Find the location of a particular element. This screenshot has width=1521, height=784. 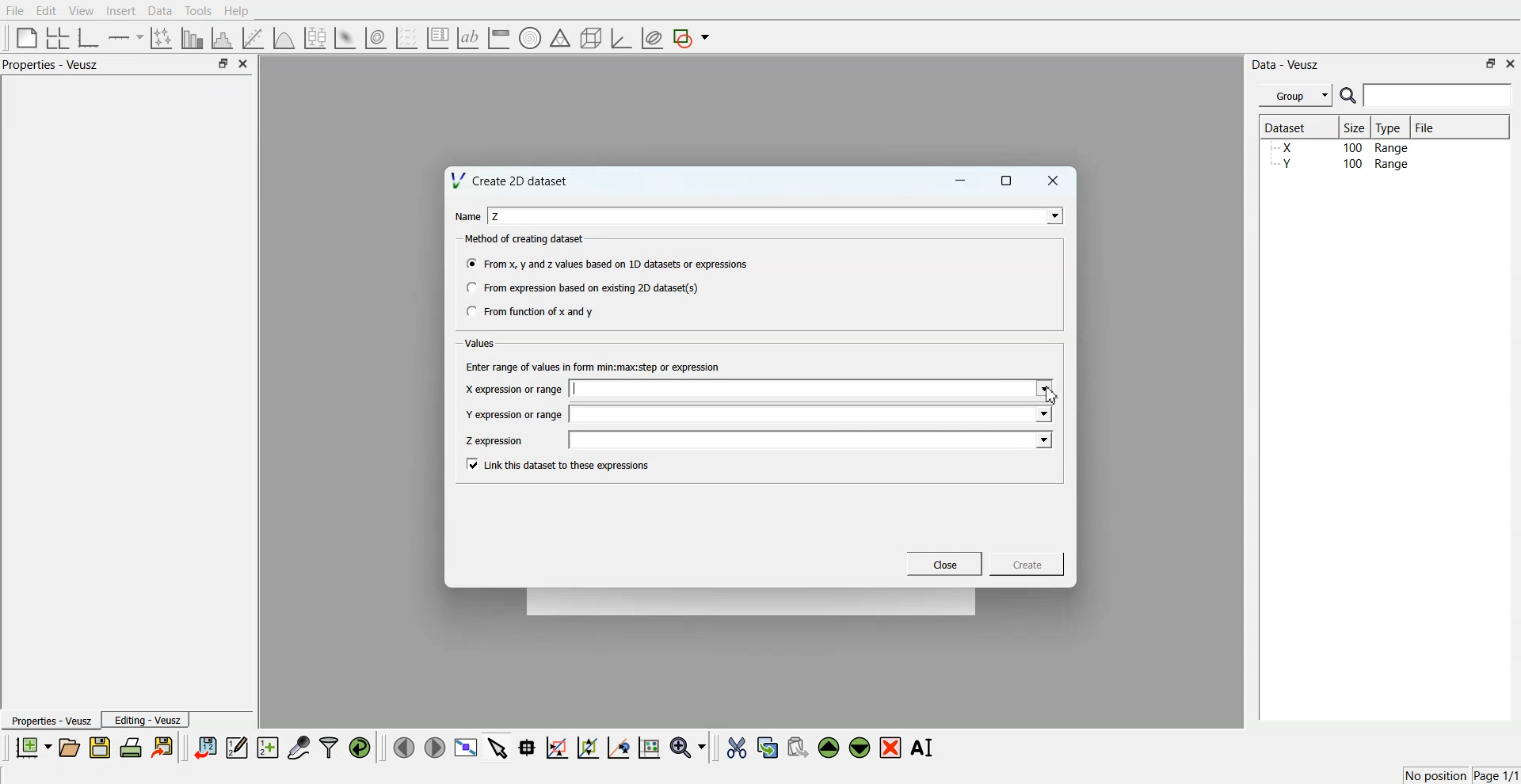

Move to the previous page is located at coordinates (404, 747).